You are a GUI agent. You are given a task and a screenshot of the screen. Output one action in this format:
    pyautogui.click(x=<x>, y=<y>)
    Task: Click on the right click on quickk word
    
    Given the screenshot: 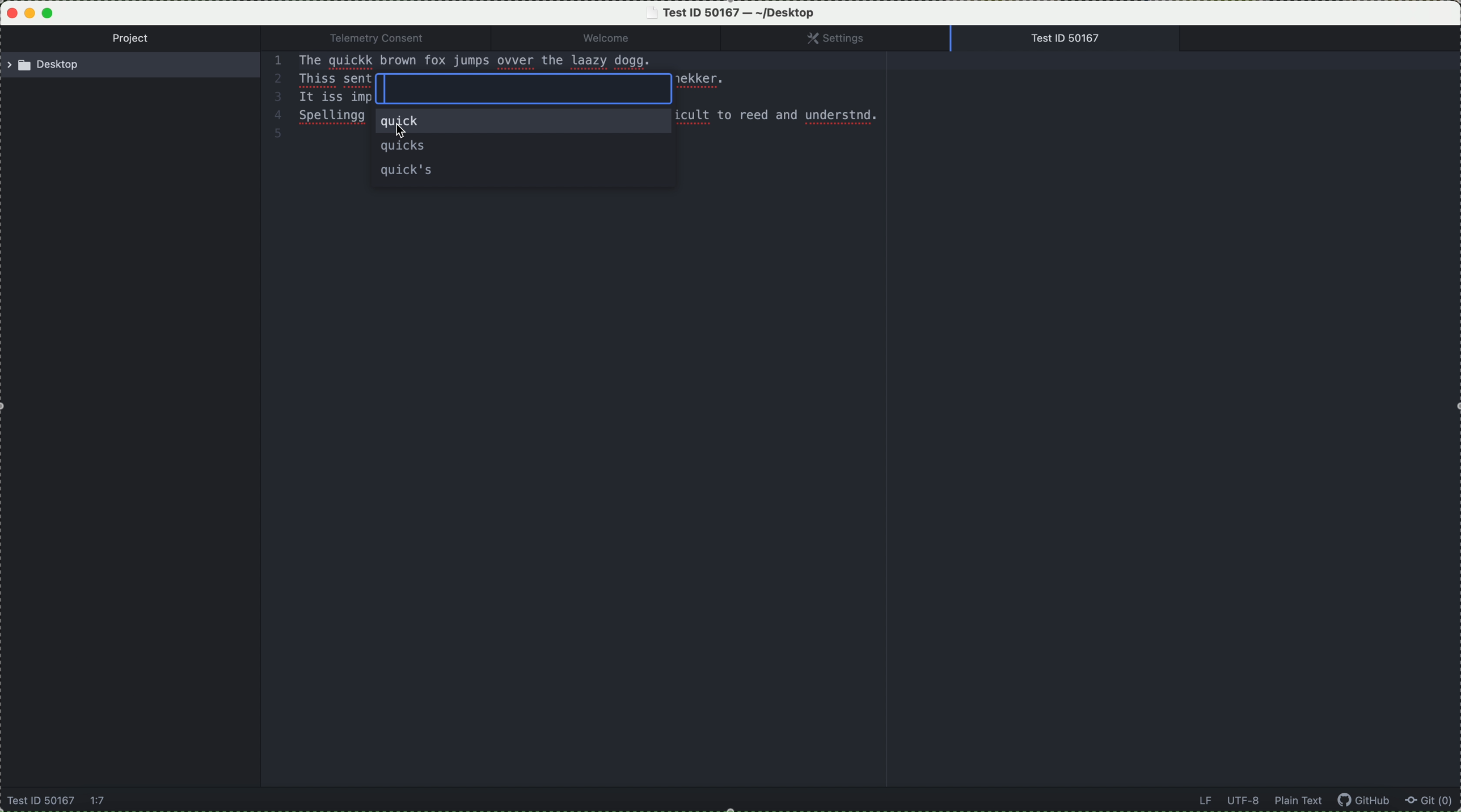 What is the action you would take?
    pyautogui.click(x=351, y=64)
    